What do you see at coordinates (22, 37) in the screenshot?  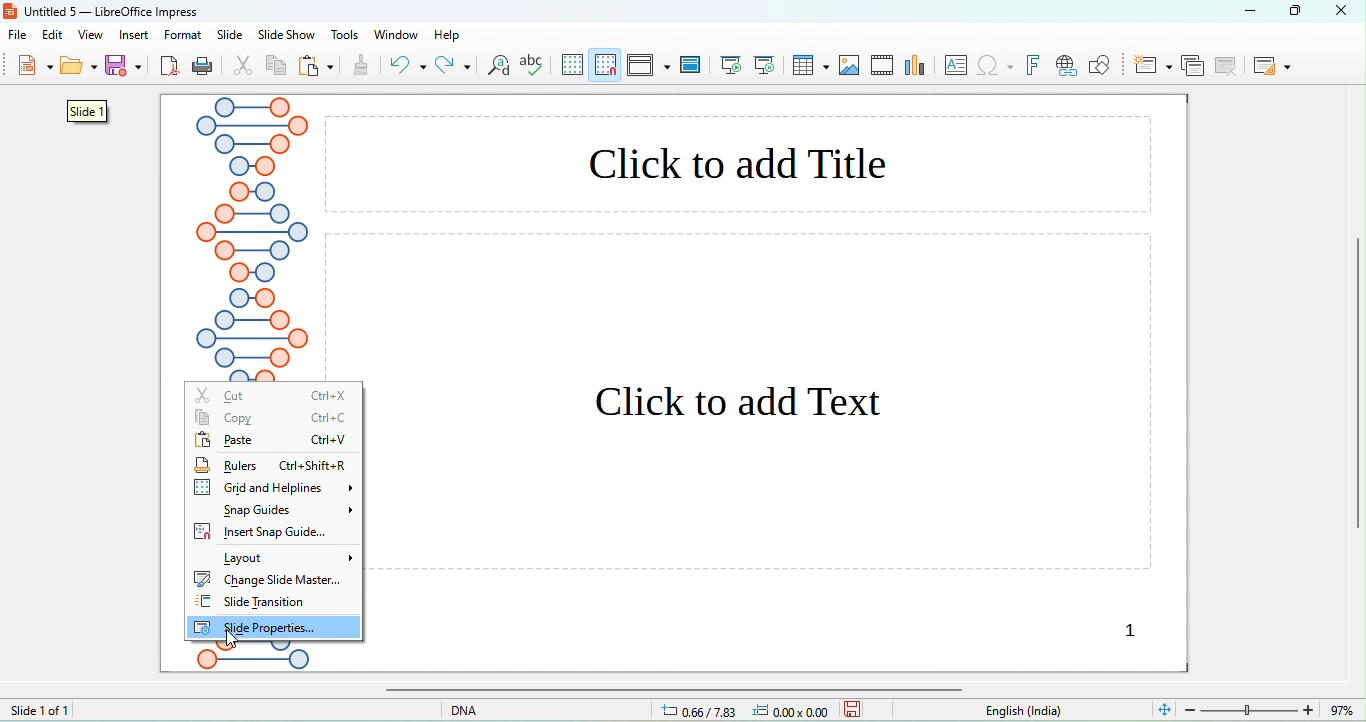 I see `file` at bounding box center [22, 37].